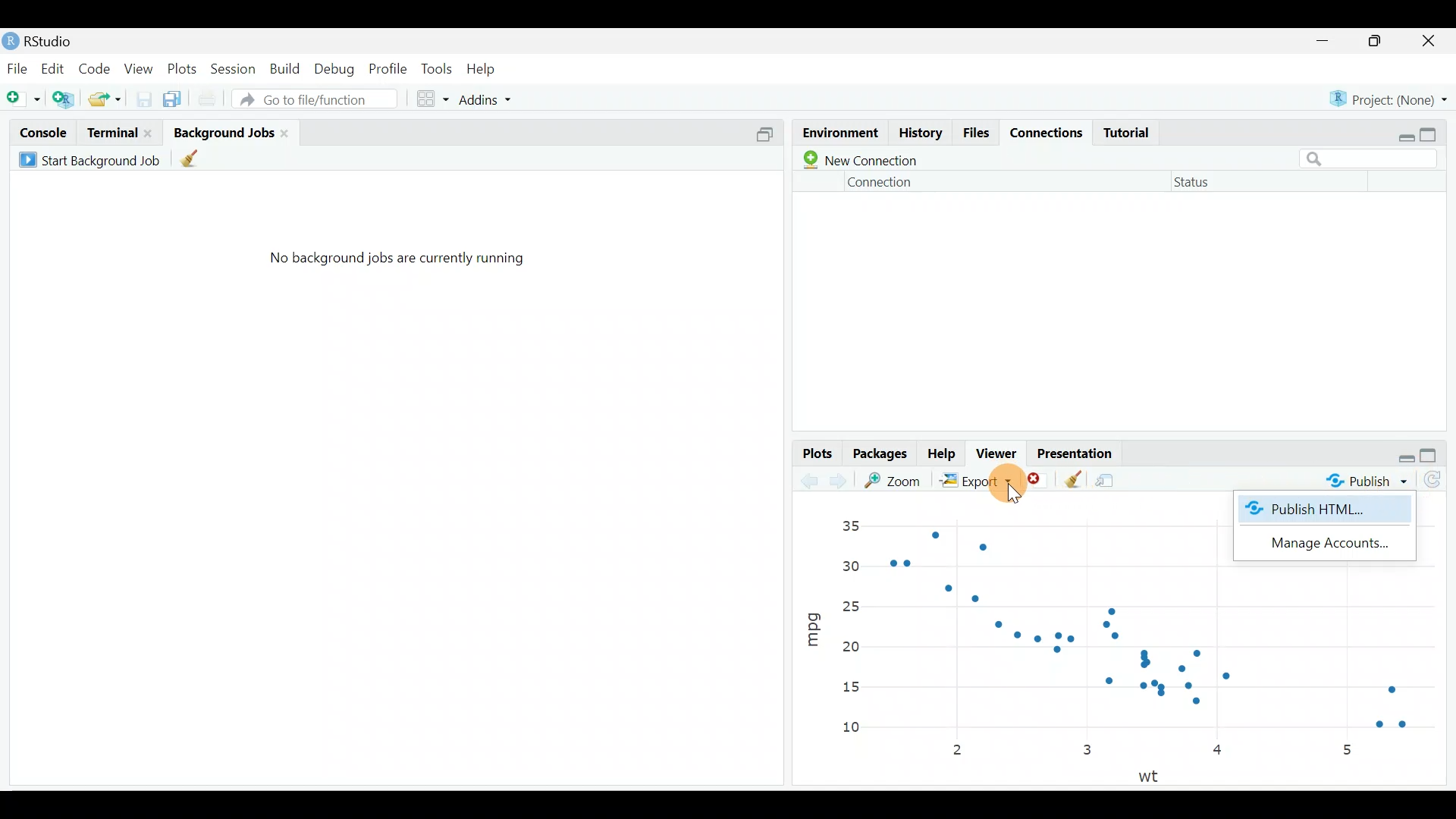 This screenshot has width=1456, height=819. Describe the element at coordinates (920, 135) in the screenshot. I see `History` at that location.